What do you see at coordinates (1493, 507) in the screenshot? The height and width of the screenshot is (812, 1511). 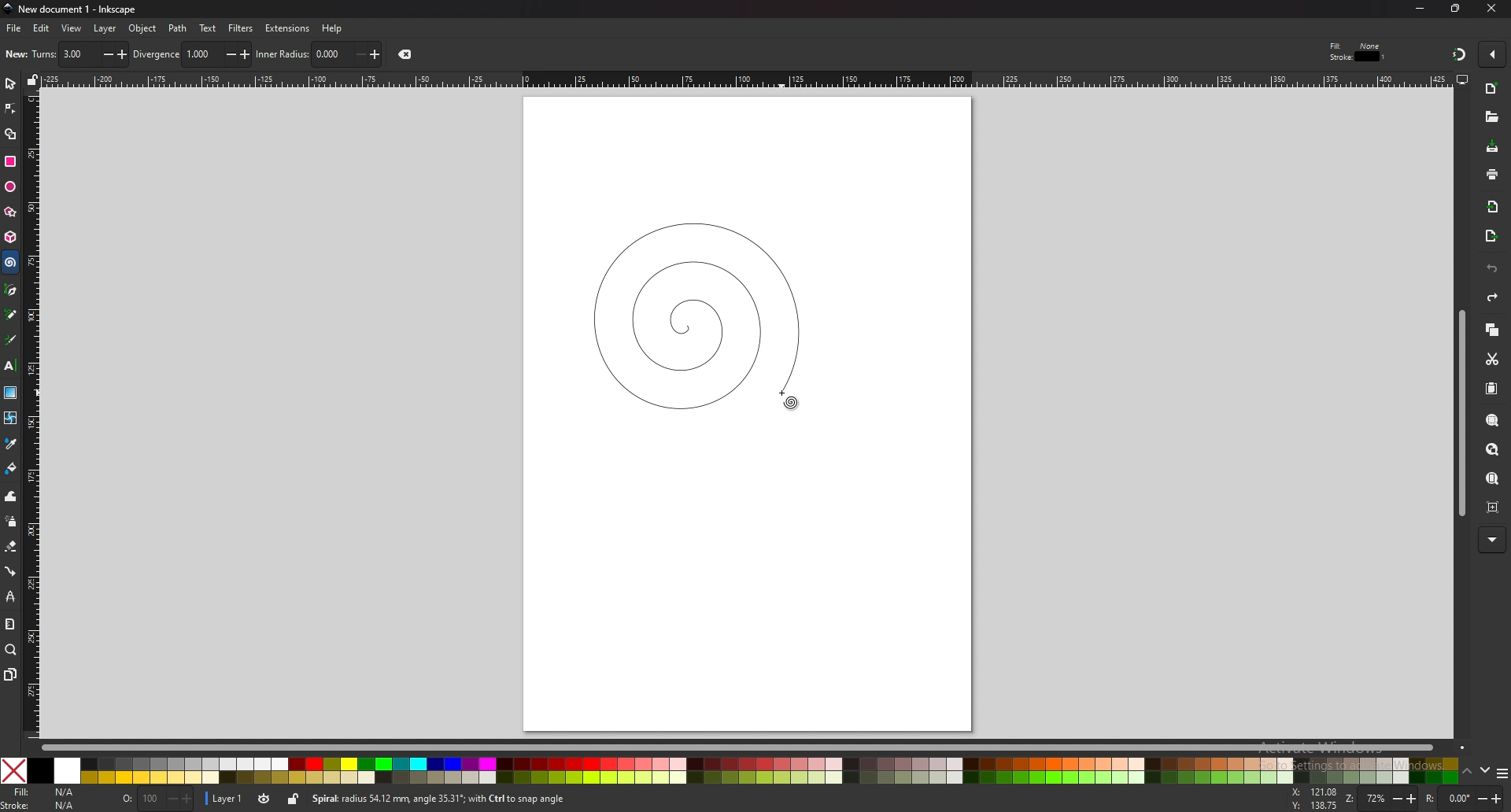 I see `zoom centre page` at bounding box center [1493, 507].